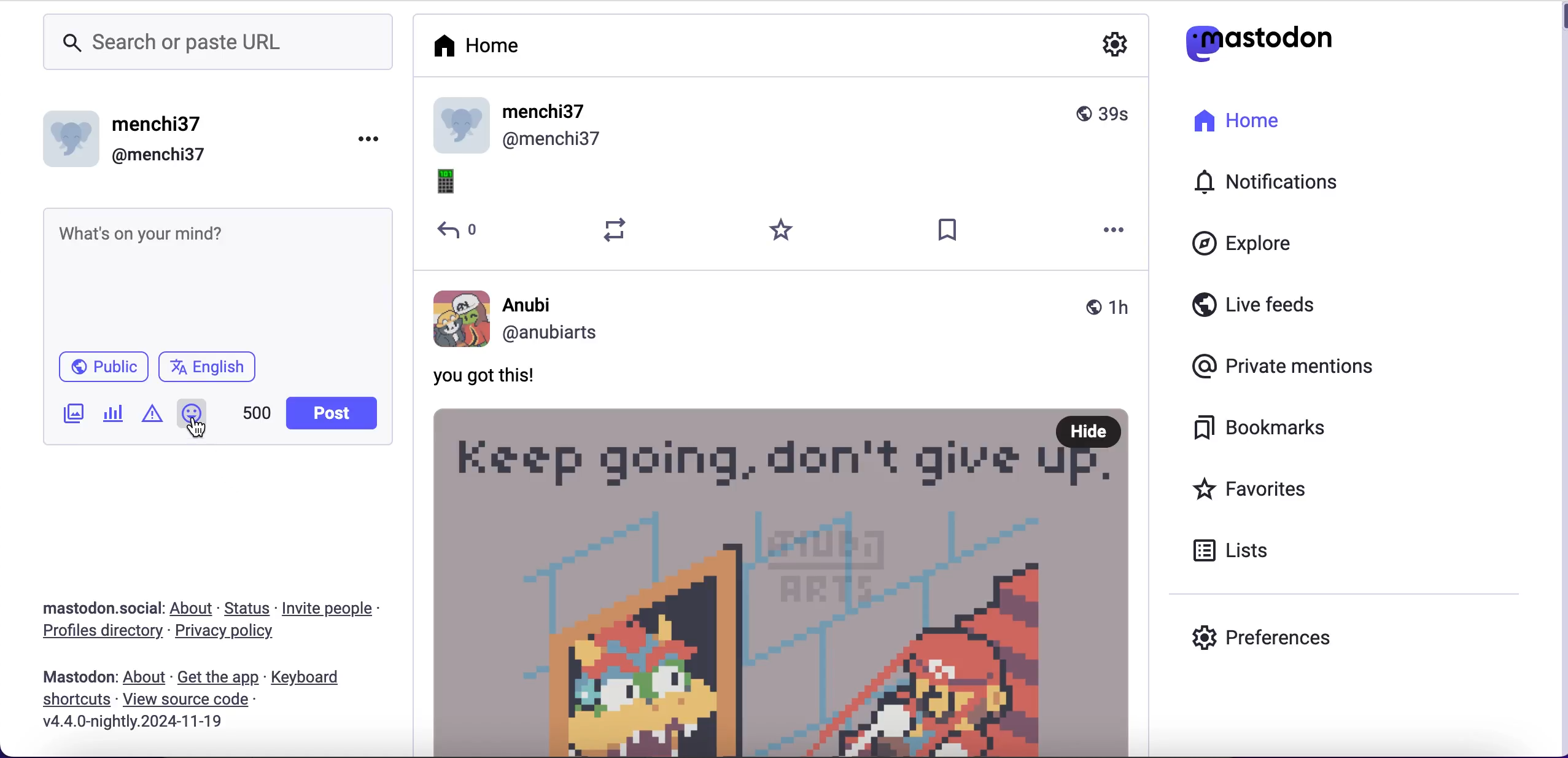 The height and width of the screenshot is (758, 1568). I want to click on emoji, so click(456, 184).